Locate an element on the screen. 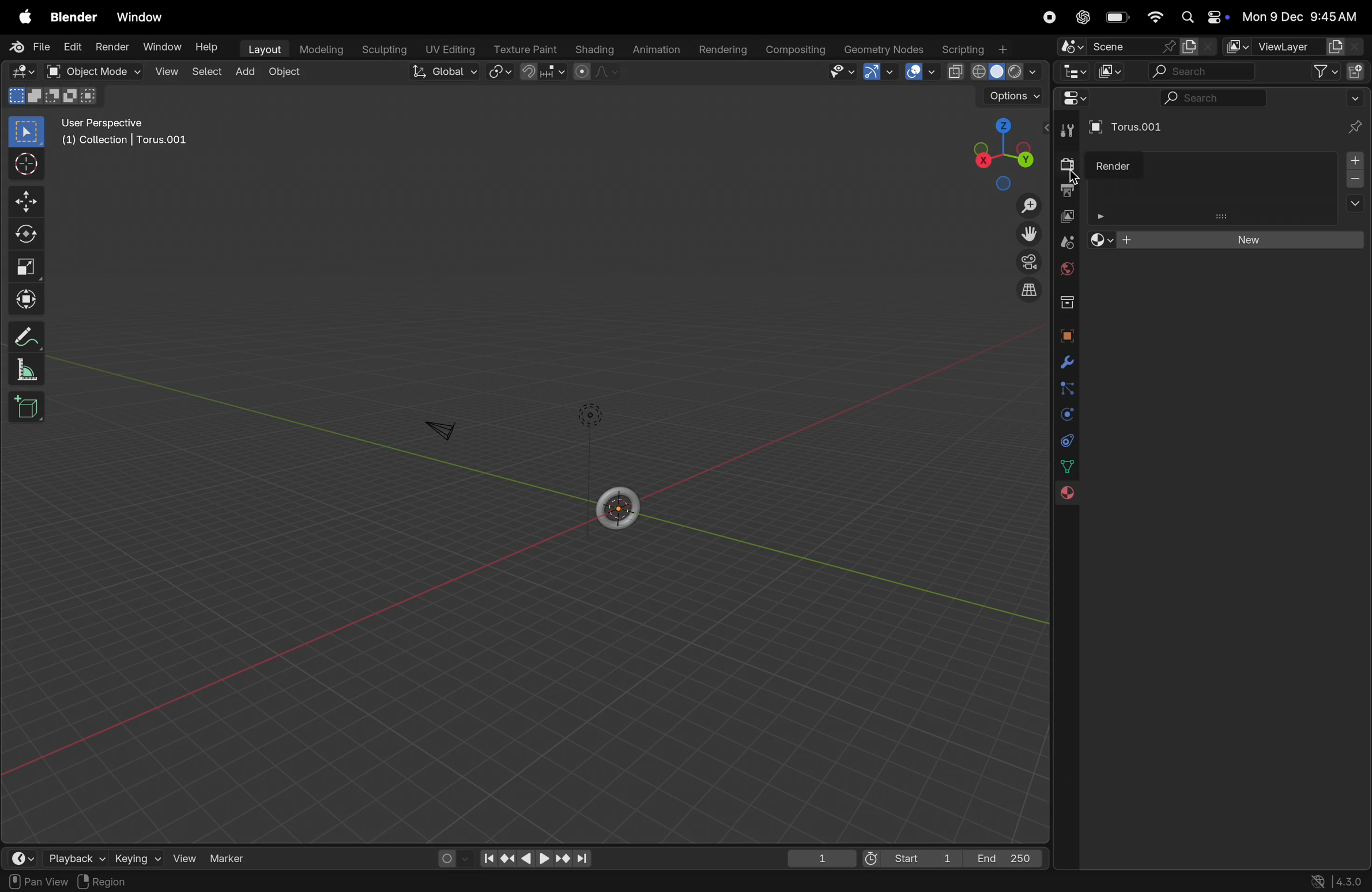 Image resolution: width=1372 pixels, height=892 pixels. Global is located at coordinates (442, 73).